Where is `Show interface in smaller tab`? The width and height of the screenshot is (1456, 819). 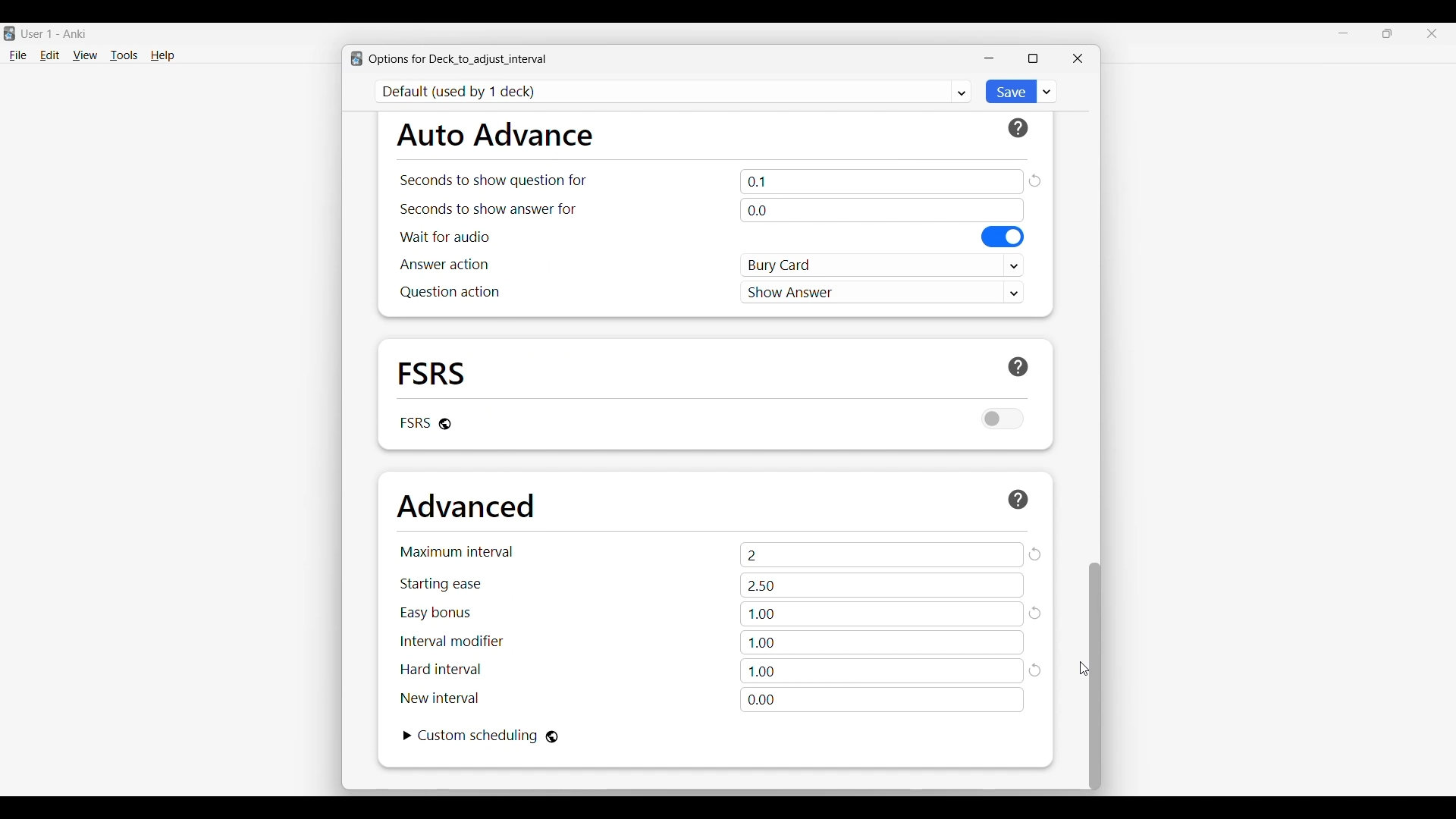 Show interface in smaller tab is located at coordinates (1388, 33).